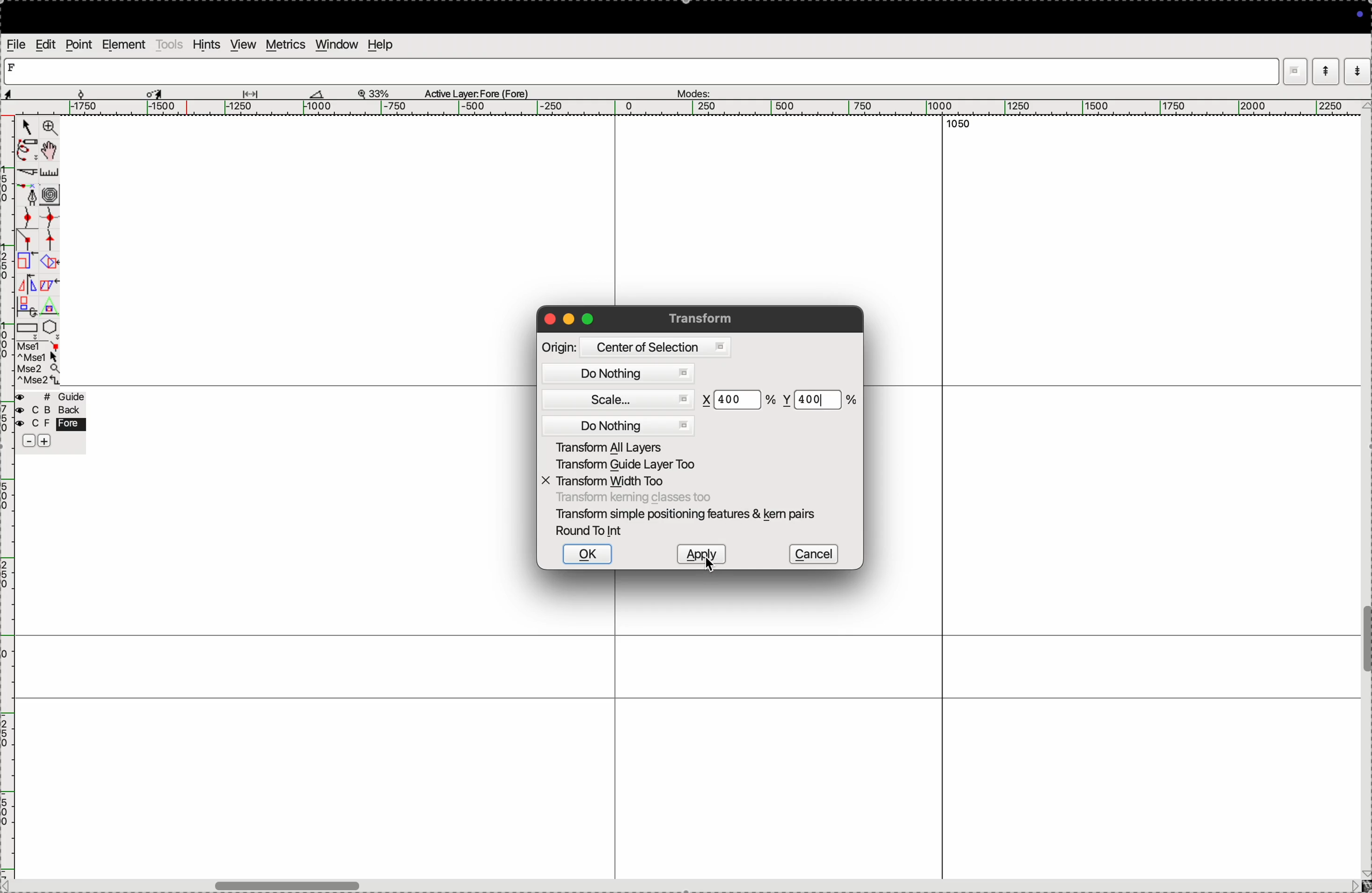 Image resolution: width=1372 pixels, height=893 pixels. I want to click on round to int, so click(593, 532).